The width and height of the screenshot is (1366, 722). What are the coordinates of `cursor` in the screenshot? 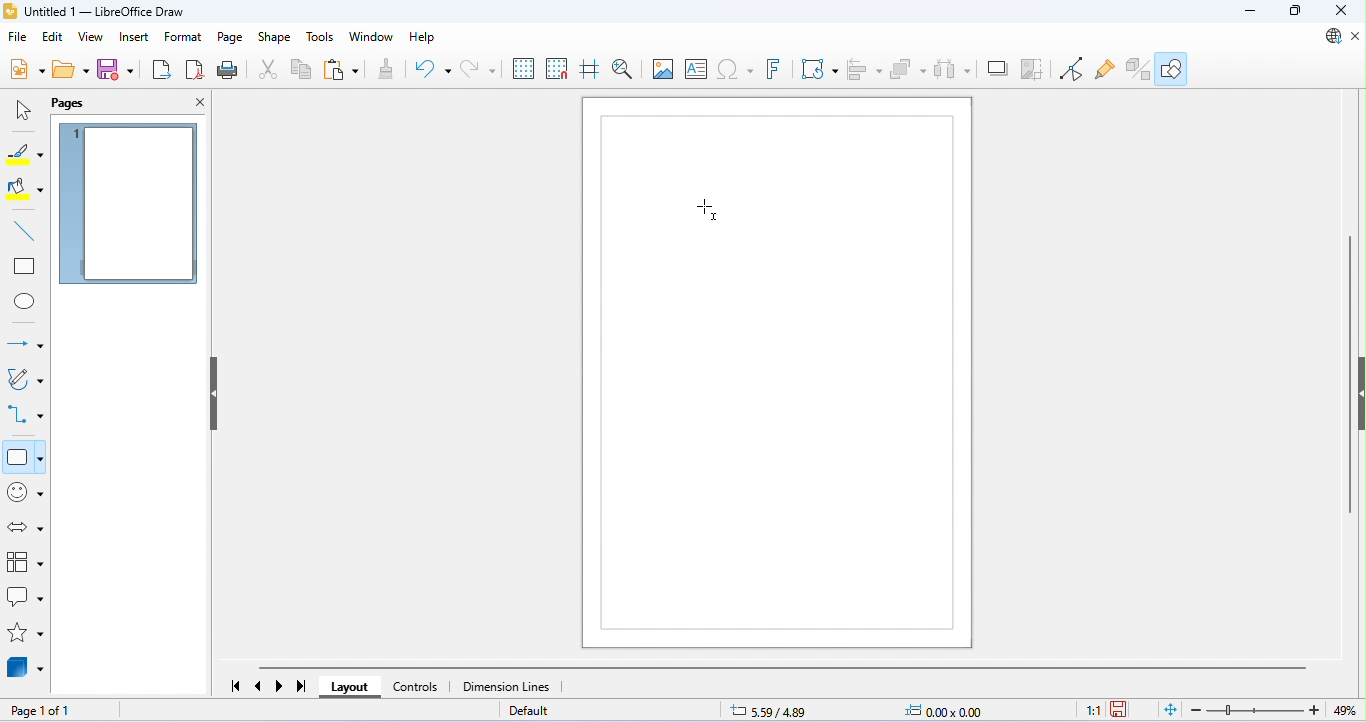 It's located at (710, 209).